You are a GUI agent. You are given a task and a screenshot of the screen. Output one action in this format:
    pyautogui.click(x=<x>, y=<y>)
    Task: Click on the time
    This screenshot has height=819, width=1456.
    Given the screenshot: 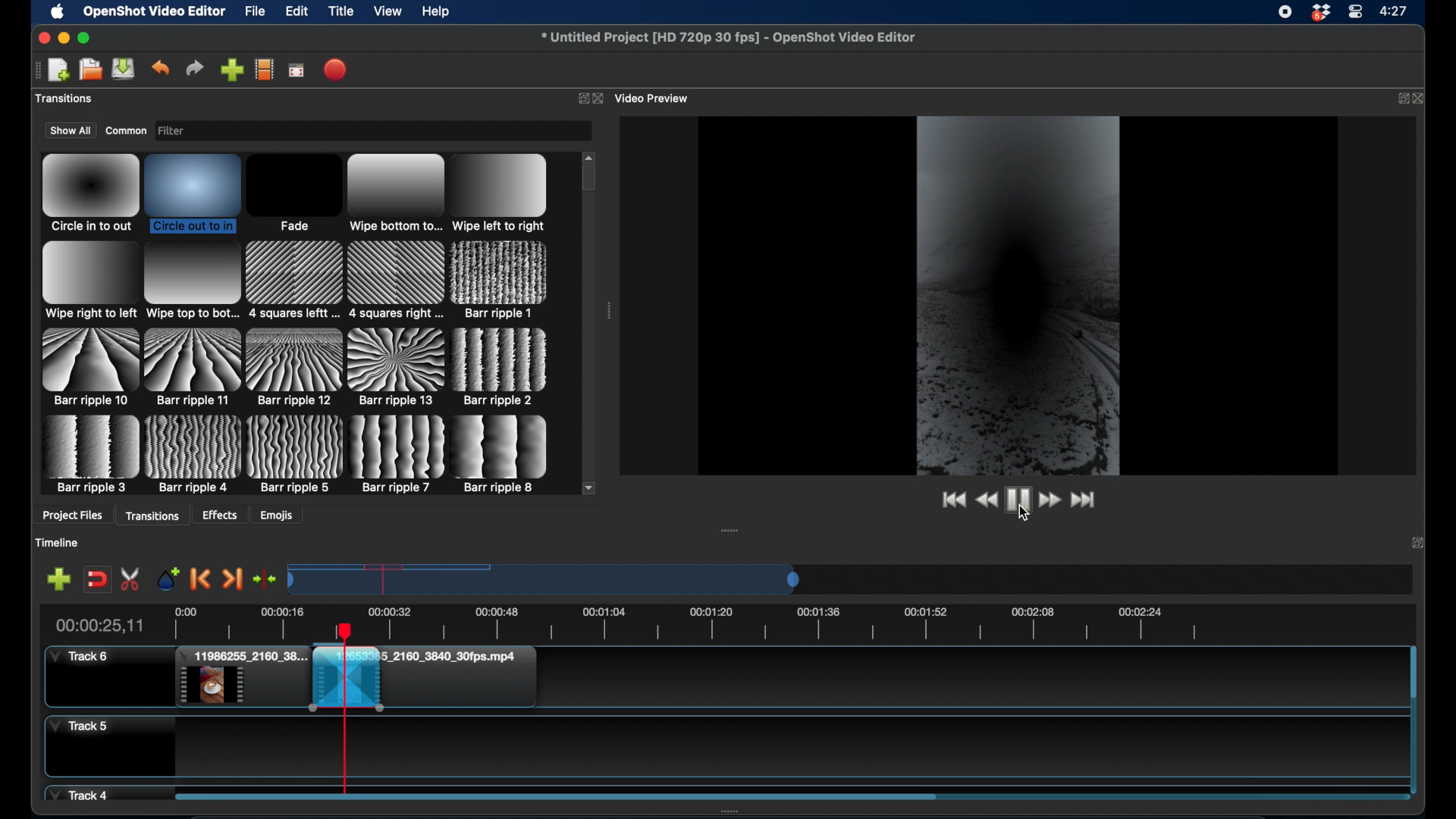 What is the action you would take?
    pyautogui.click(x=1396, y=10)
    